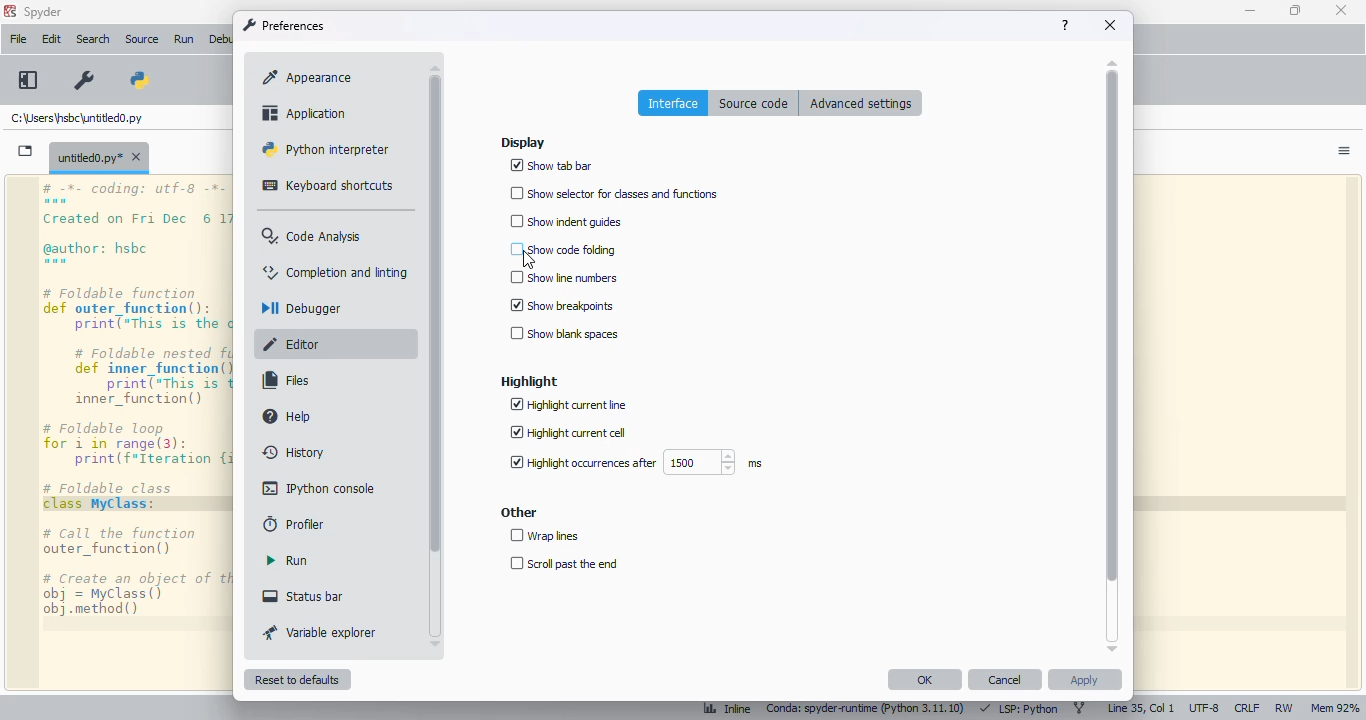 The height and width of the screenshot is (720, 1366). Describe the element at coordinates (288, 560) in the screenshot. I see `run` at that location.